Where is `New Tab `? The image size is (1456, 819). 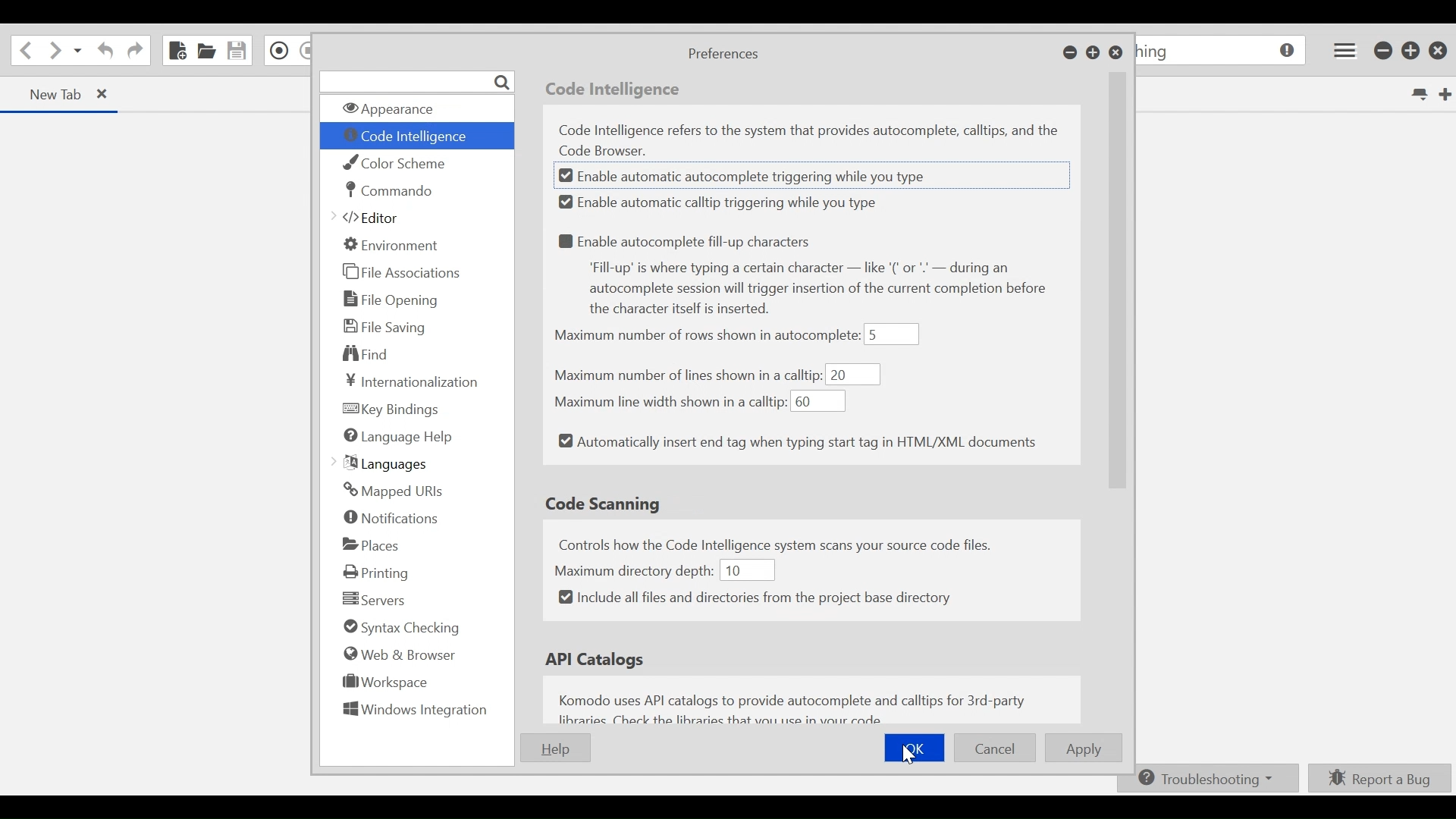
New Tab  is located at coordinates (1443, 93).